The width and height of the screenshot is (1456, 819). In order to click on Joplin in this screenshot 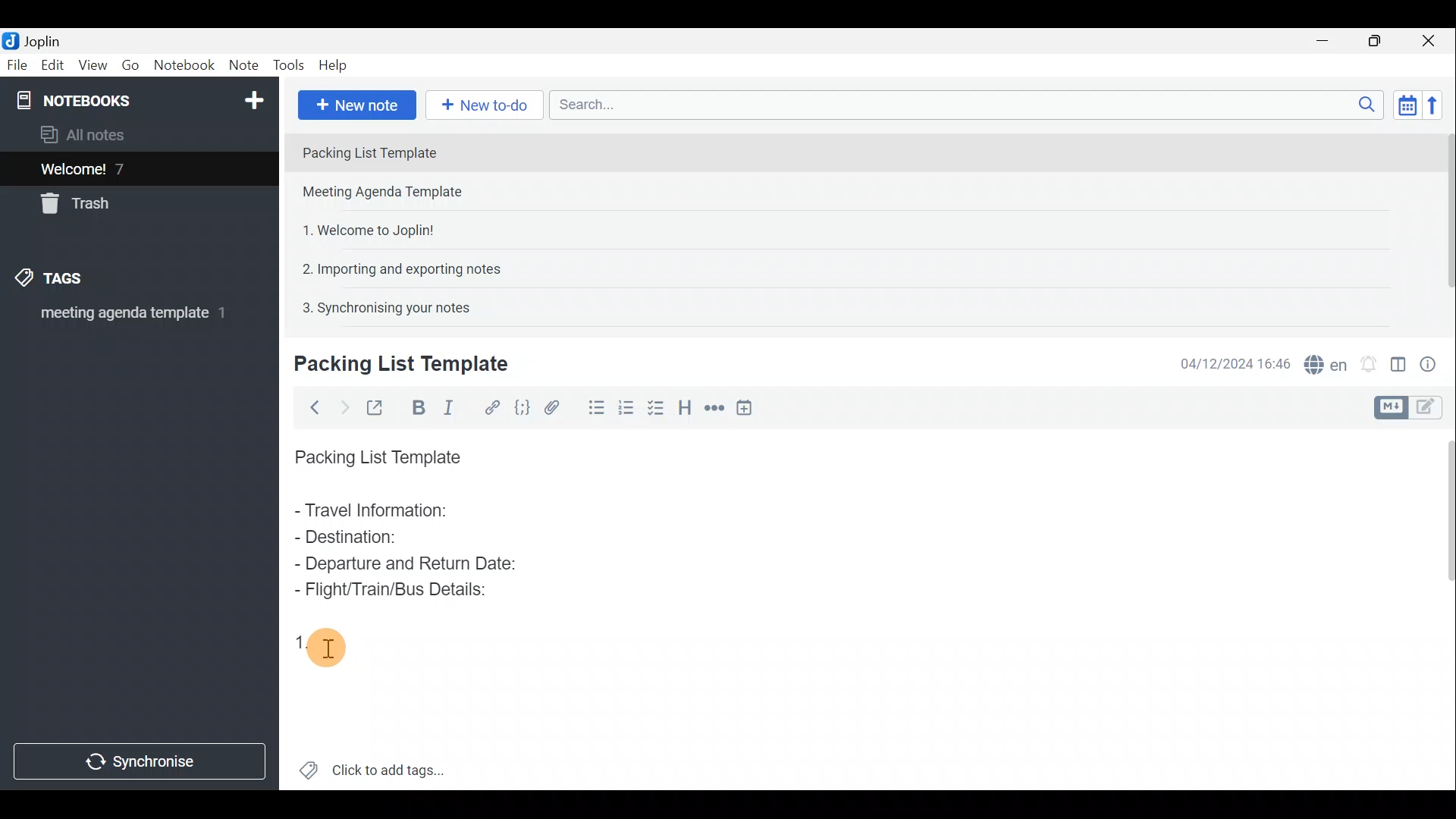, I will do `click(36, 40)`.